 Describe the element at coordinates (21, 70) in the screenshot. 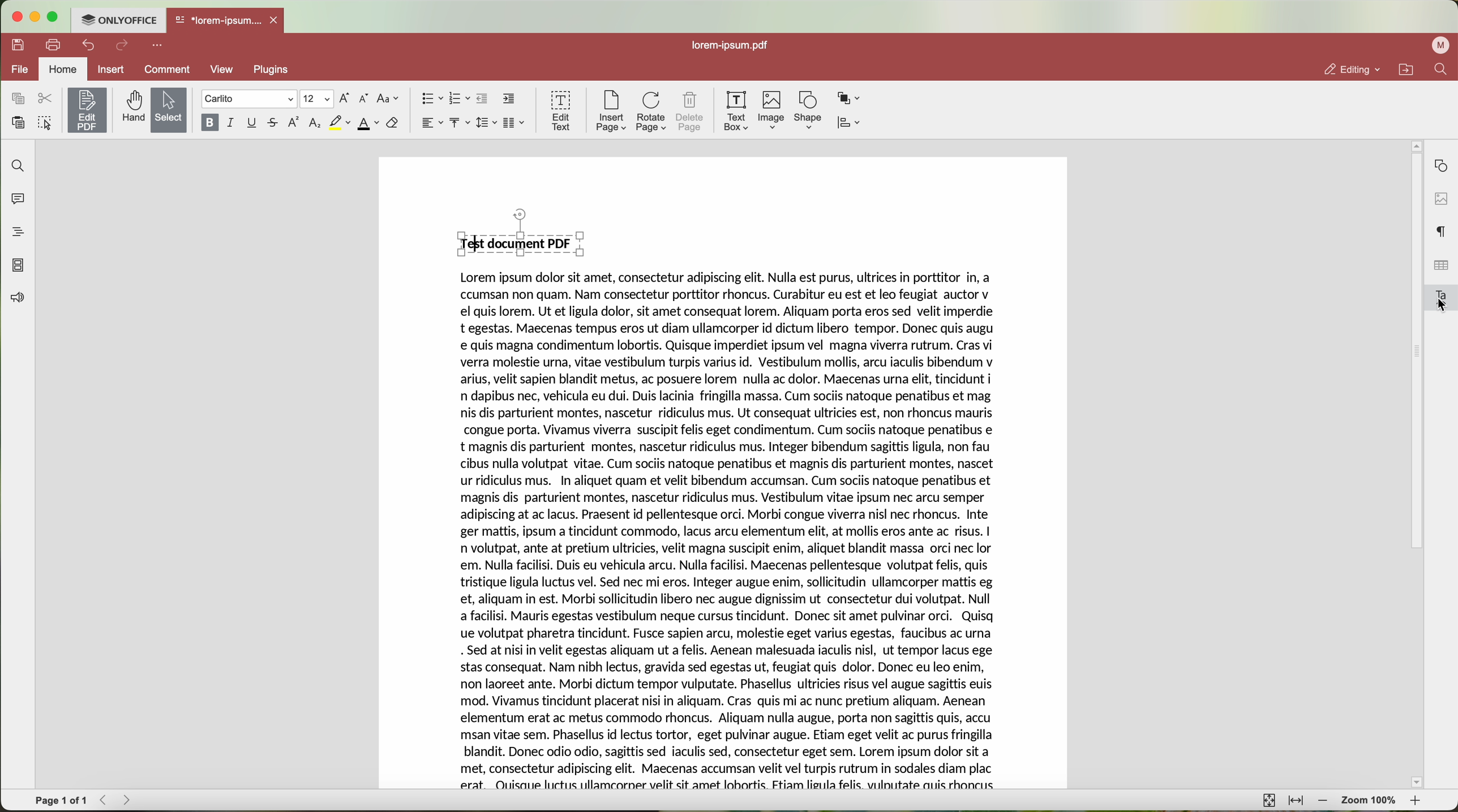

I see `file` at that location.